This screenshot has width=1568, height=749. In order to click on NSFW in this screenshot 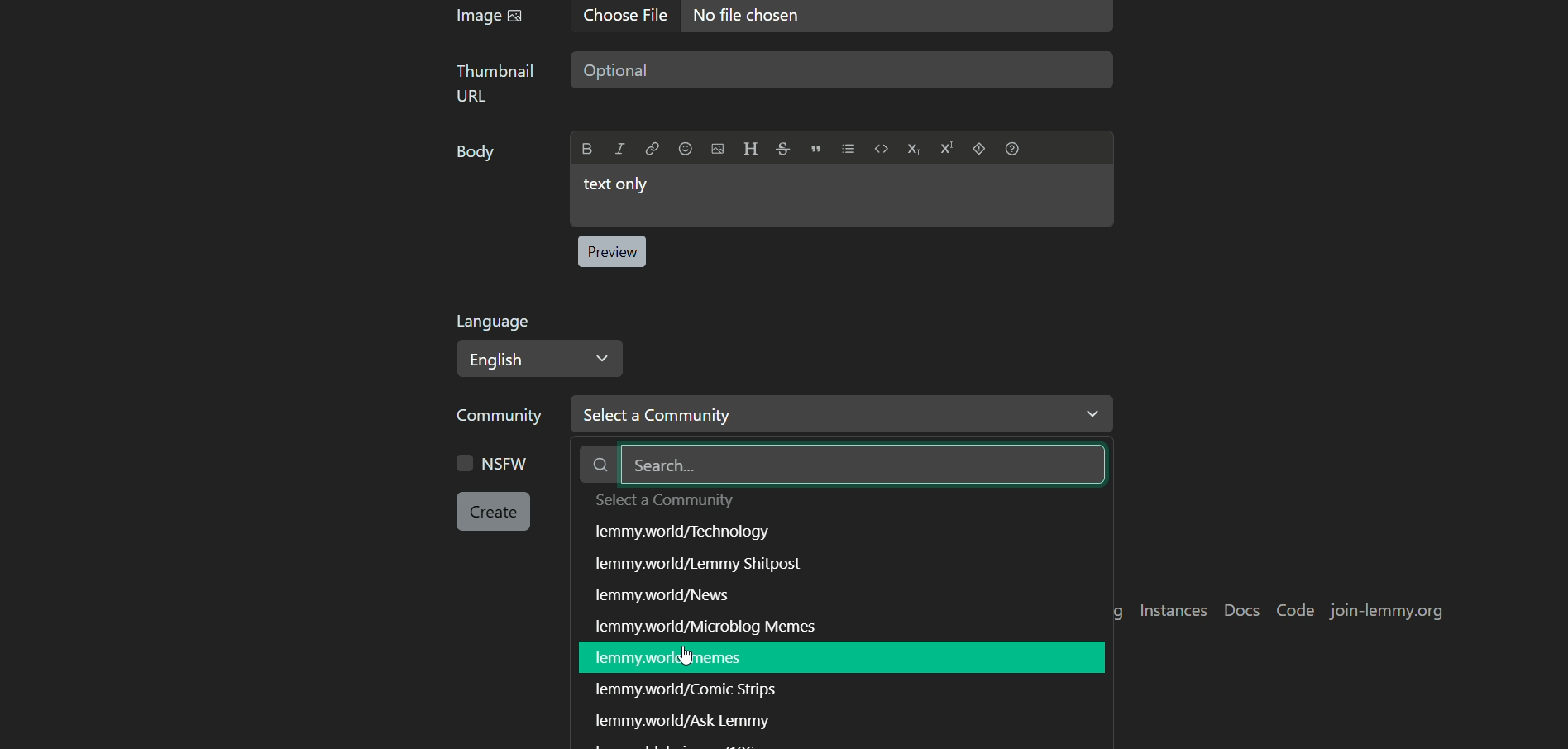, I will do `click(496, 465)`.